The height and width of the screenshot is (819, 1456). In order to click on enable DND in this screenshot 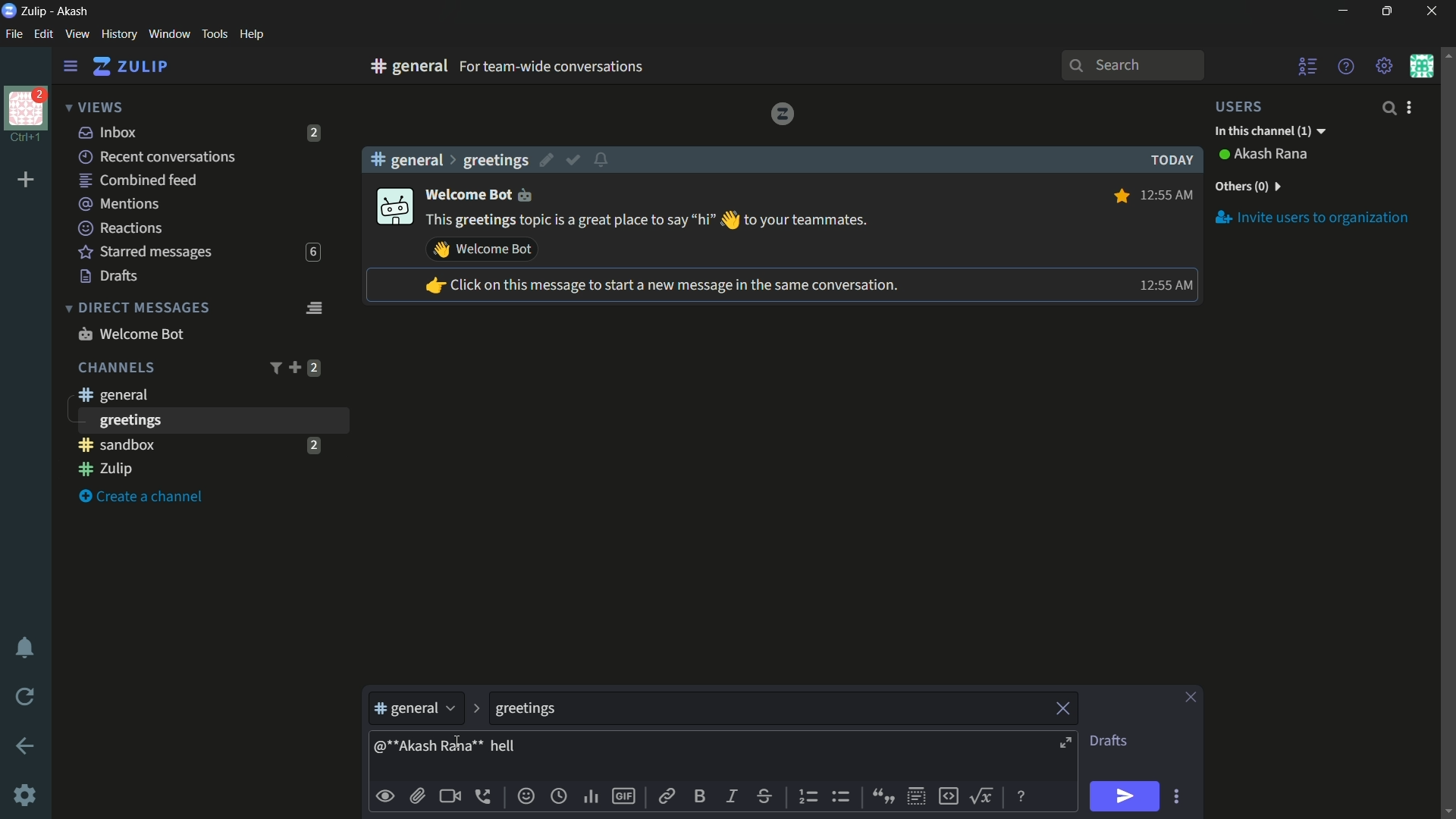, I will do `click(25, 648)`.